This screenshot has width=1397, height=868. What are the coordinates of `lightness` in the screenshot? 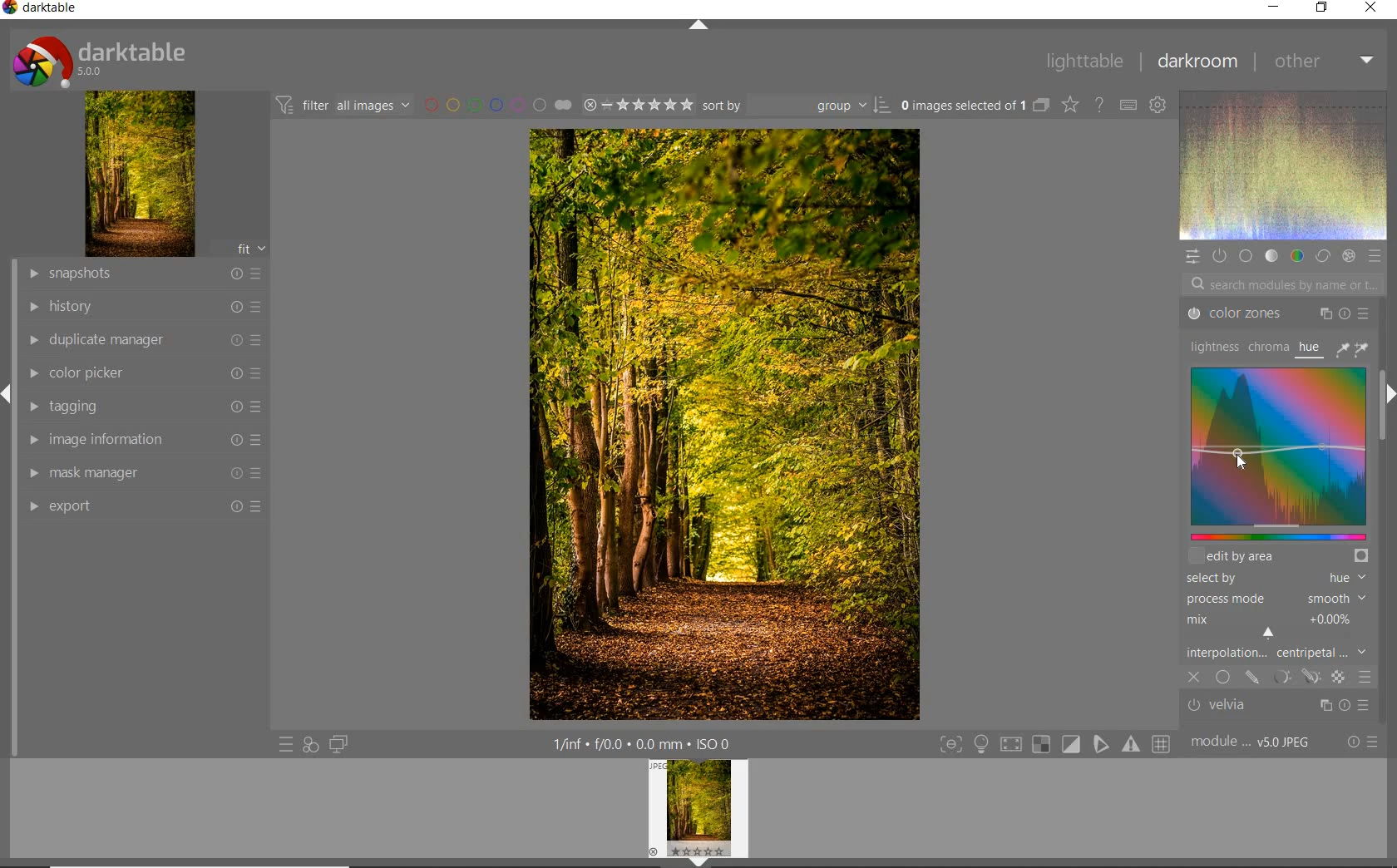 It's located at (1212, 348).